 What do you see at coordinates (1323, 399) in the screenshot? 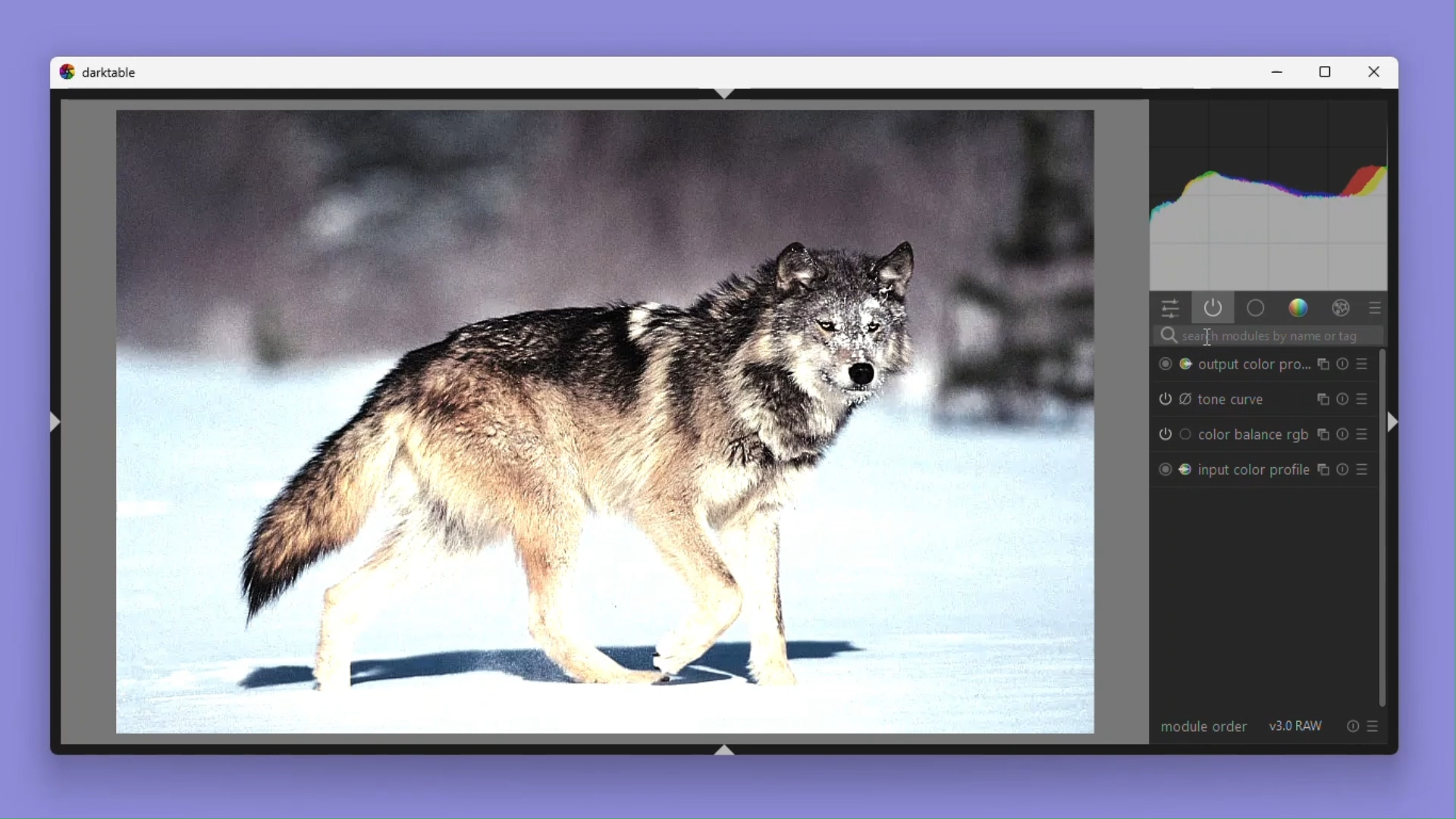
I see `copy` at bounding box center [1323, 399].